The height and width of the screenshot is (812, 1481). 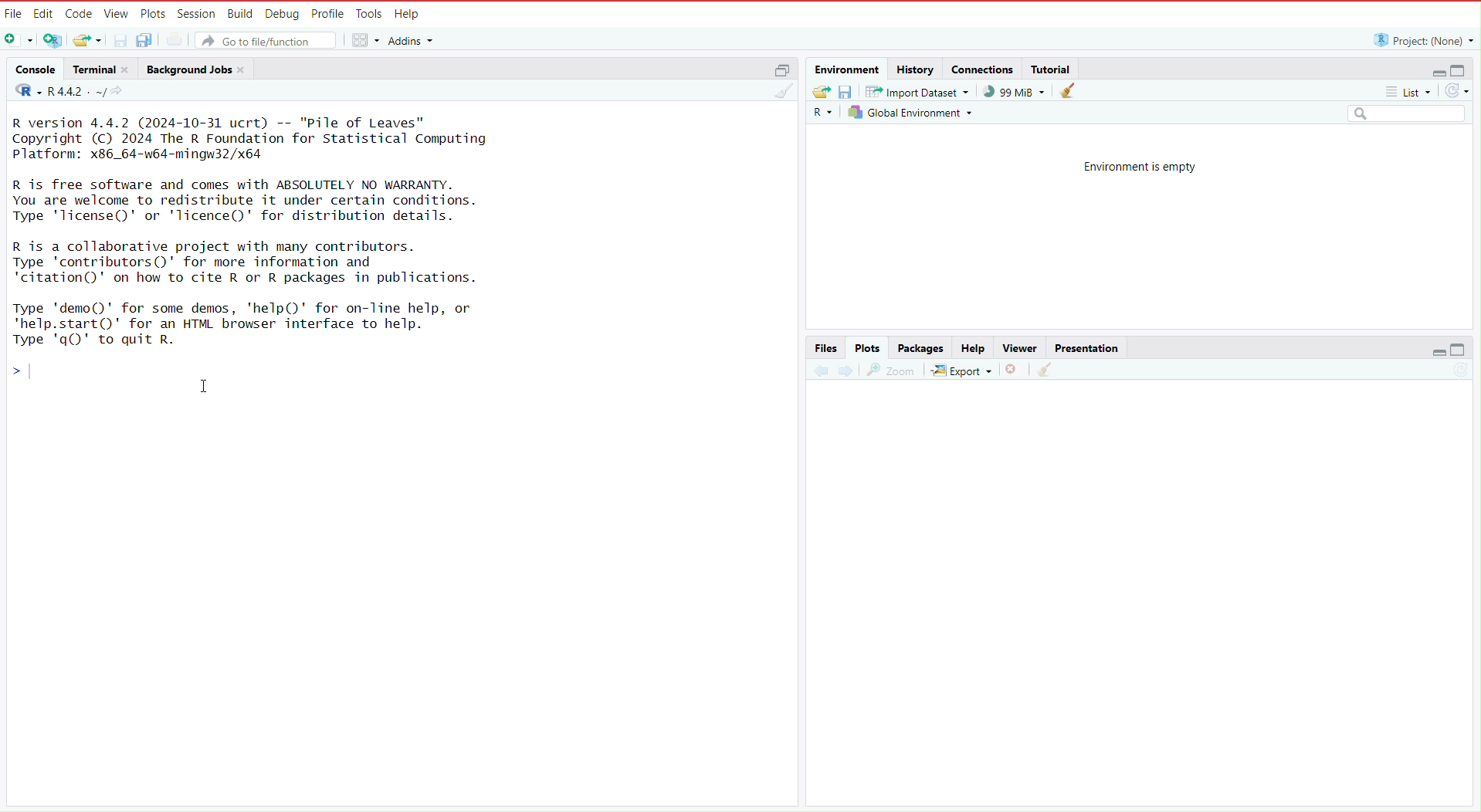 What do you see at coordinates (174, 41) in the screenshot?
I see `print the current file` at bounding box center [174, 41].